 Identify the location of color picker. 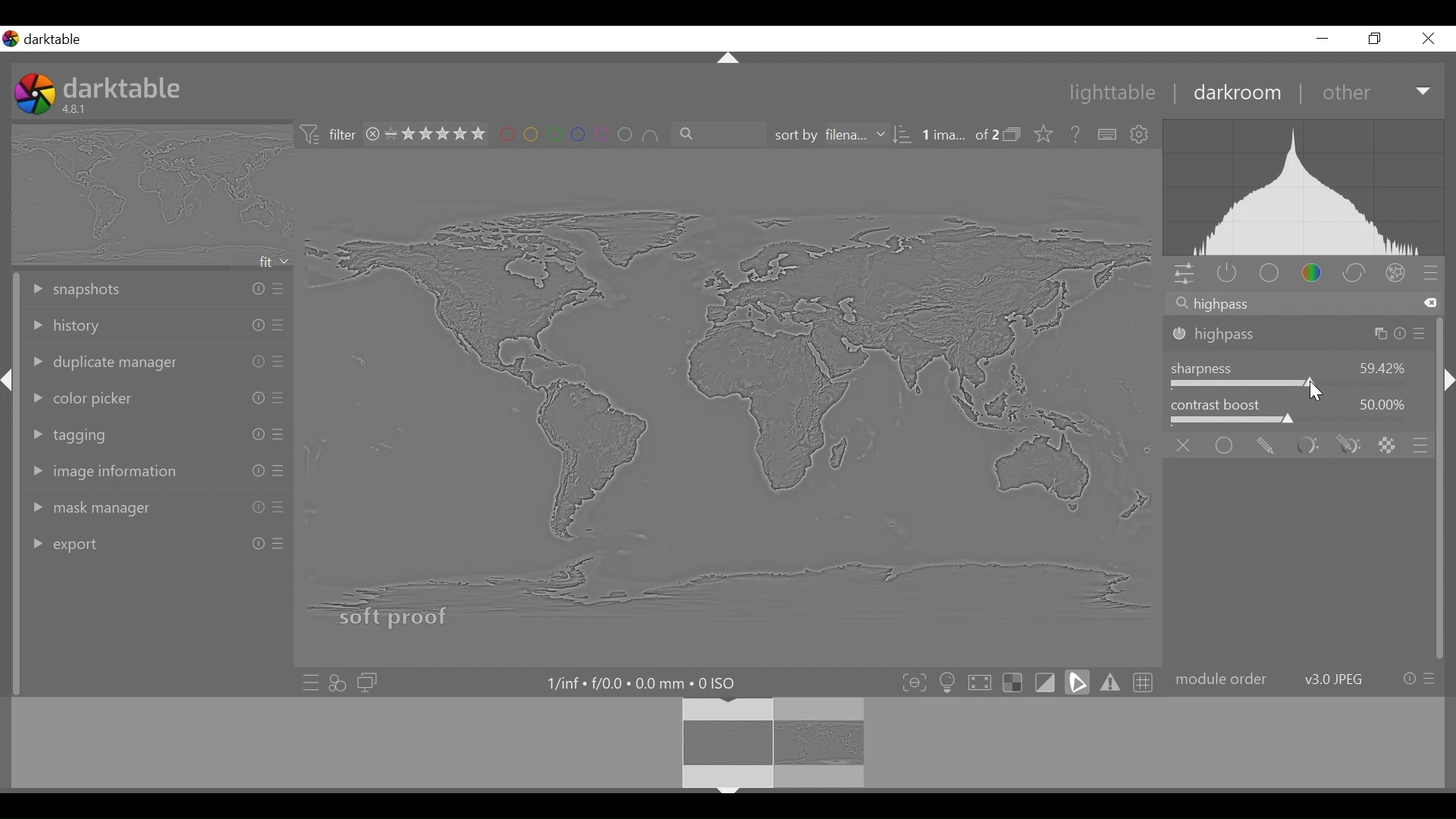
(156, 395).